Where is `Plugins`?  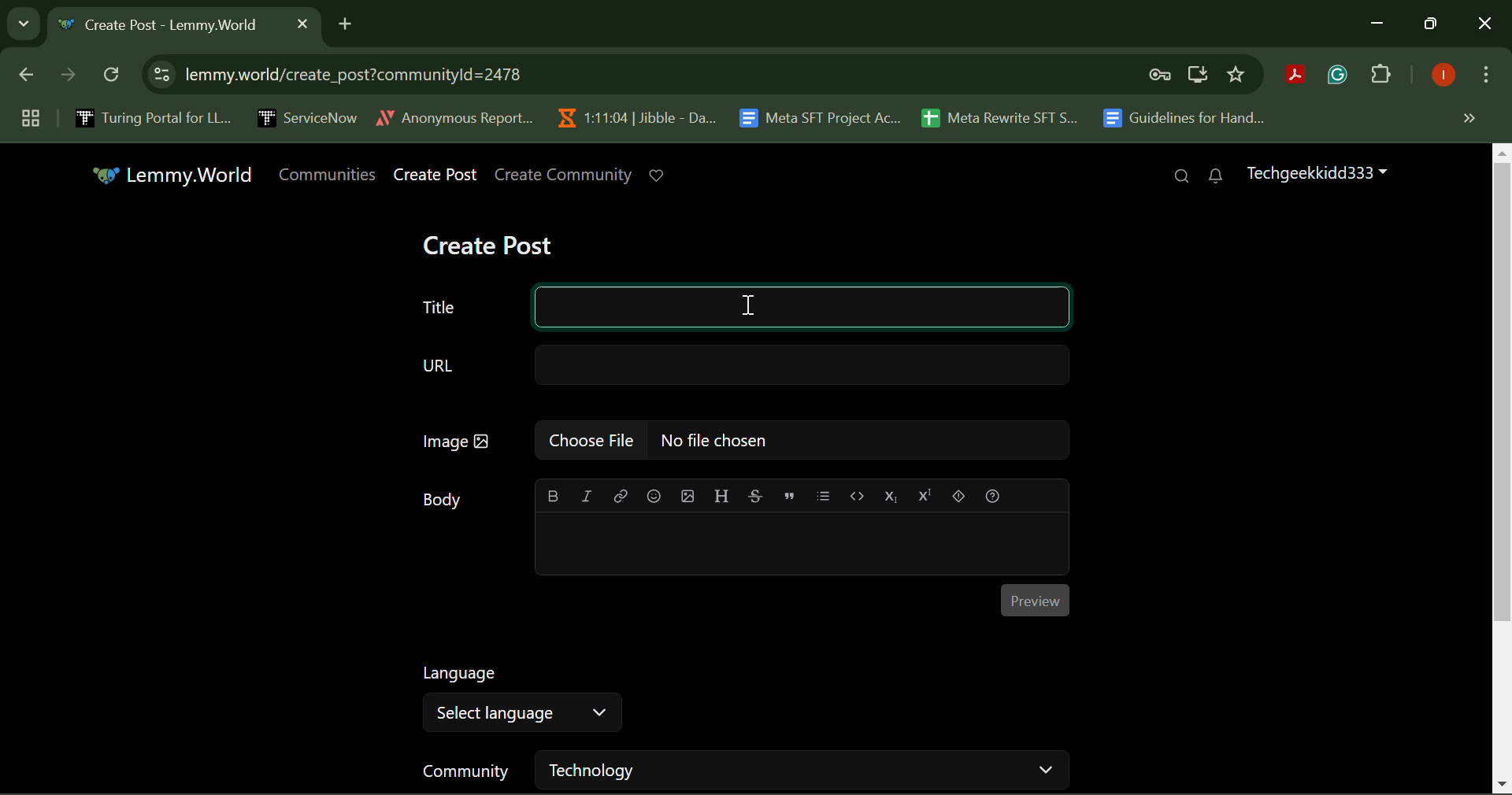
Plugins is located at coordinates (1381, 77).